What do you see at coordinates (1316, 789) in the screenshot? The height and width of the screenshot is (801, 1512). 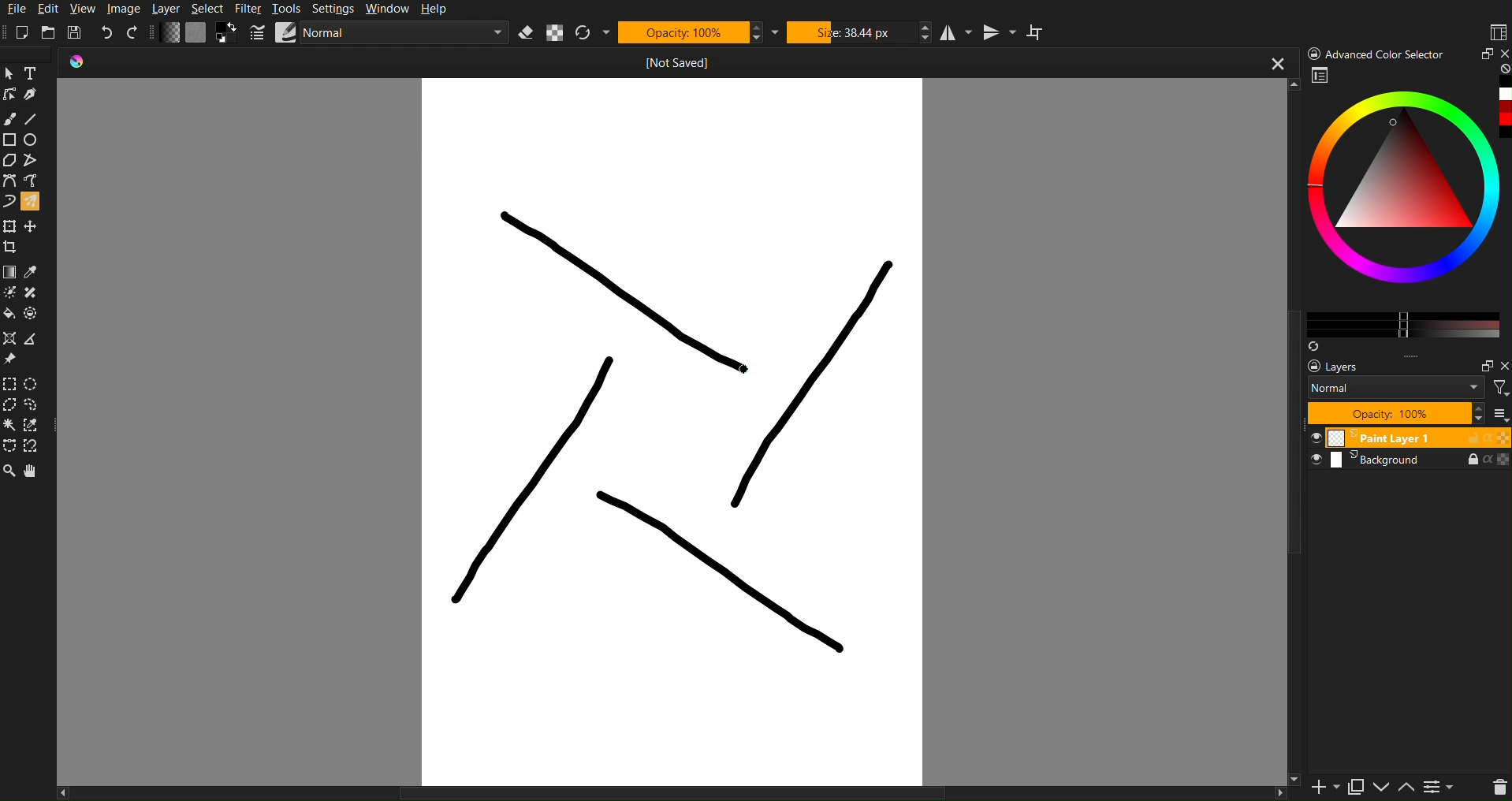 I see `add` at bounding box center [1316, 789].